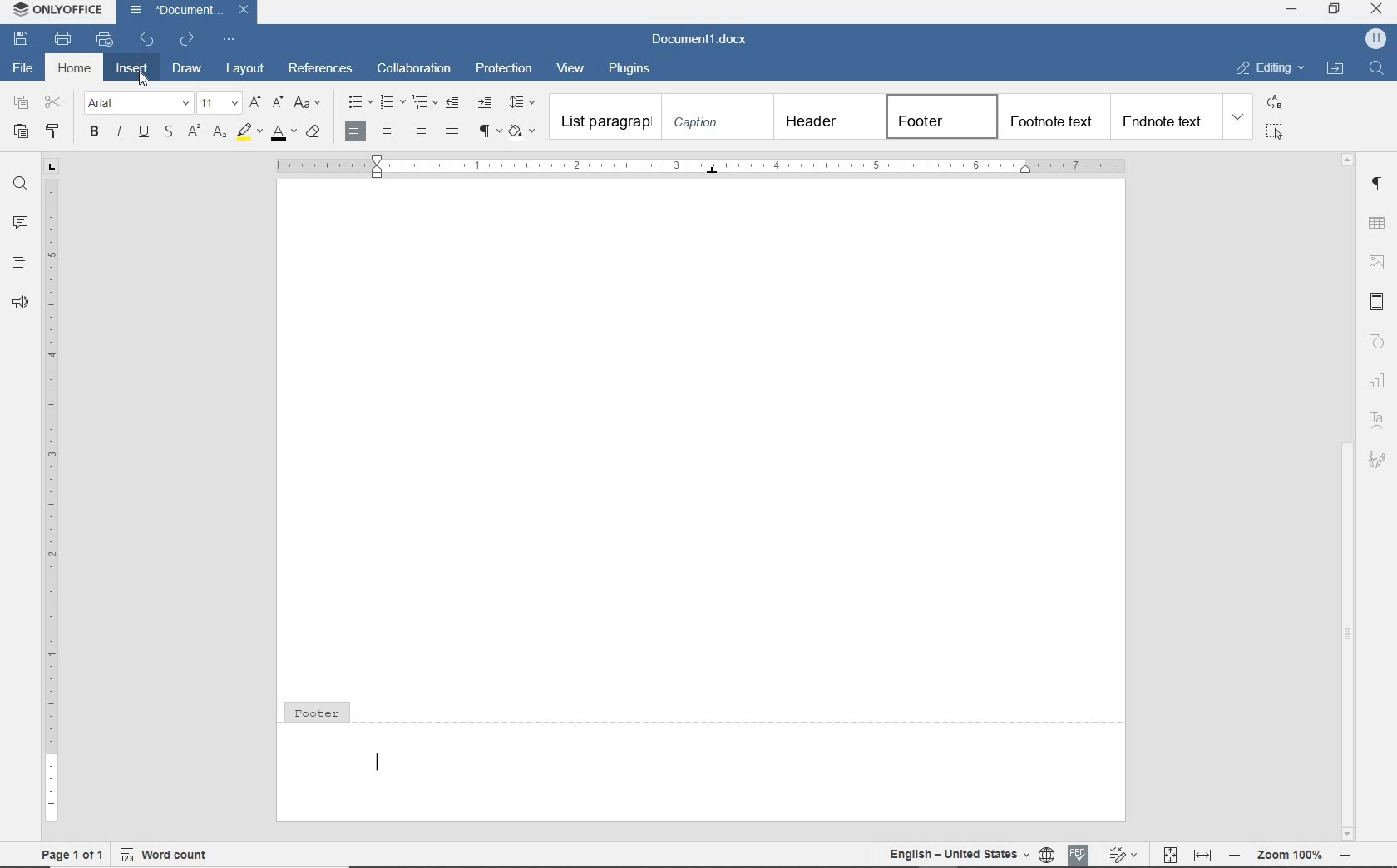  Describe the element at coordinates (130, 69) in the screenshot. I see `insert` at that location.